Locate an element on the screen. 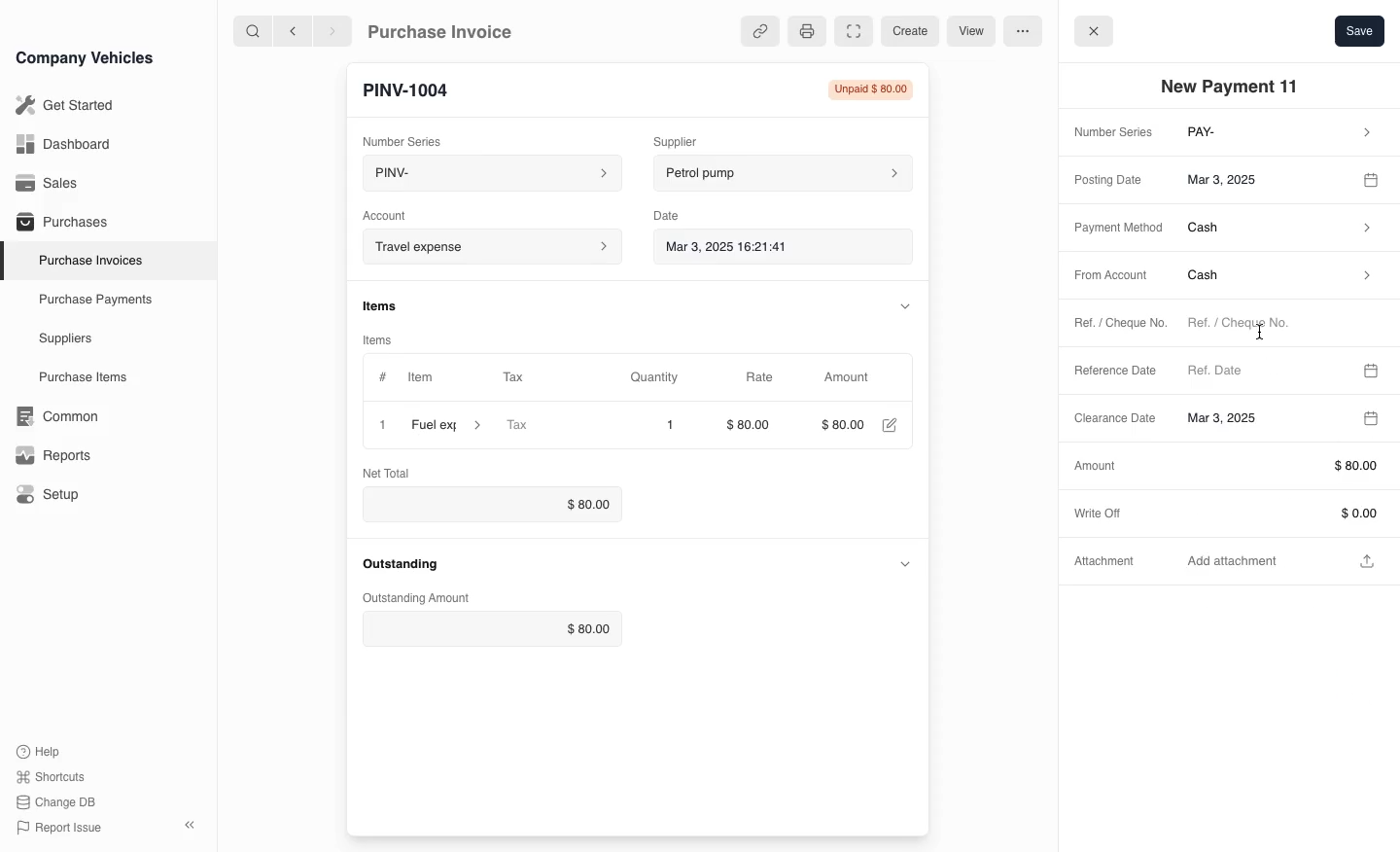 This screenshot has height=852, width=1400. full screen is located at coordinates (853, 32).